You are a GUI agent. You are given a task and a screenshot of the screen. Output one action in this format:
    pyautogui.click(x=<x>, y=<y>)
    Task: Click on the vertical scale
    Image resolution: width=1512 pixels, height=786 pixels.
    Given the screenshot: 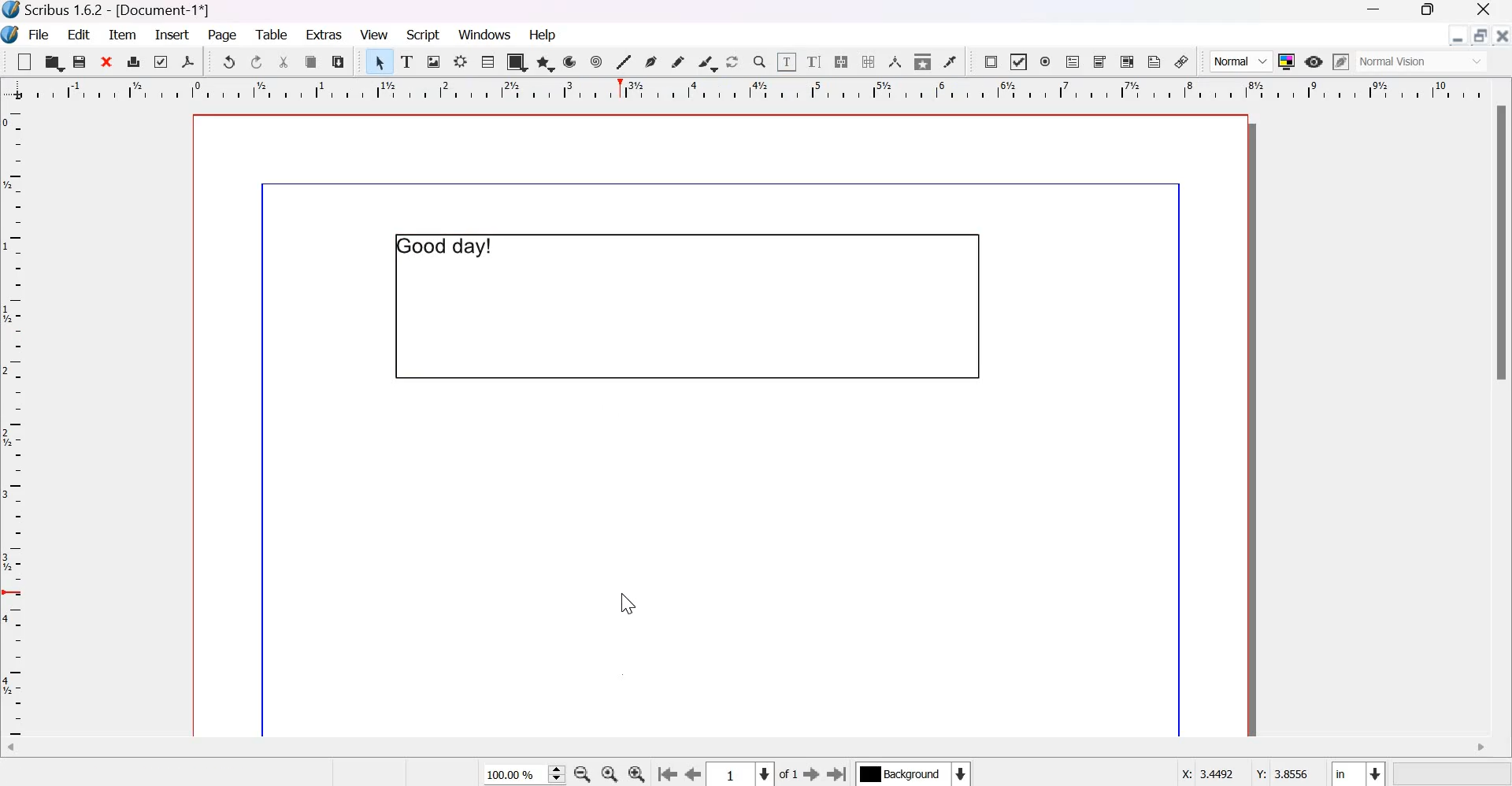 What is the action you would take?
    pyautogui.click(x=18, y=423)
    